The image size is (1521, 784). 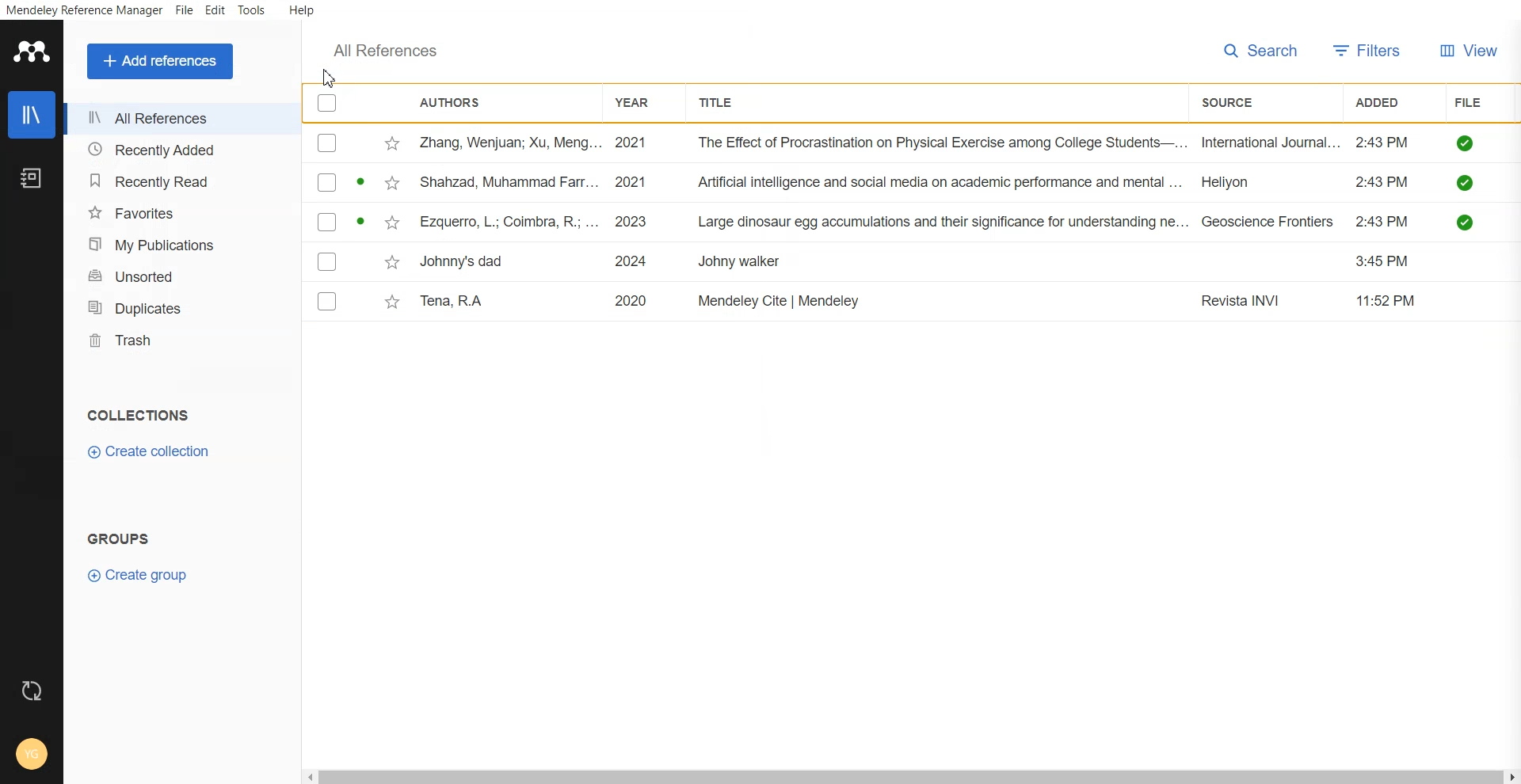 I want to click on View, so click(x=1470, y=52).